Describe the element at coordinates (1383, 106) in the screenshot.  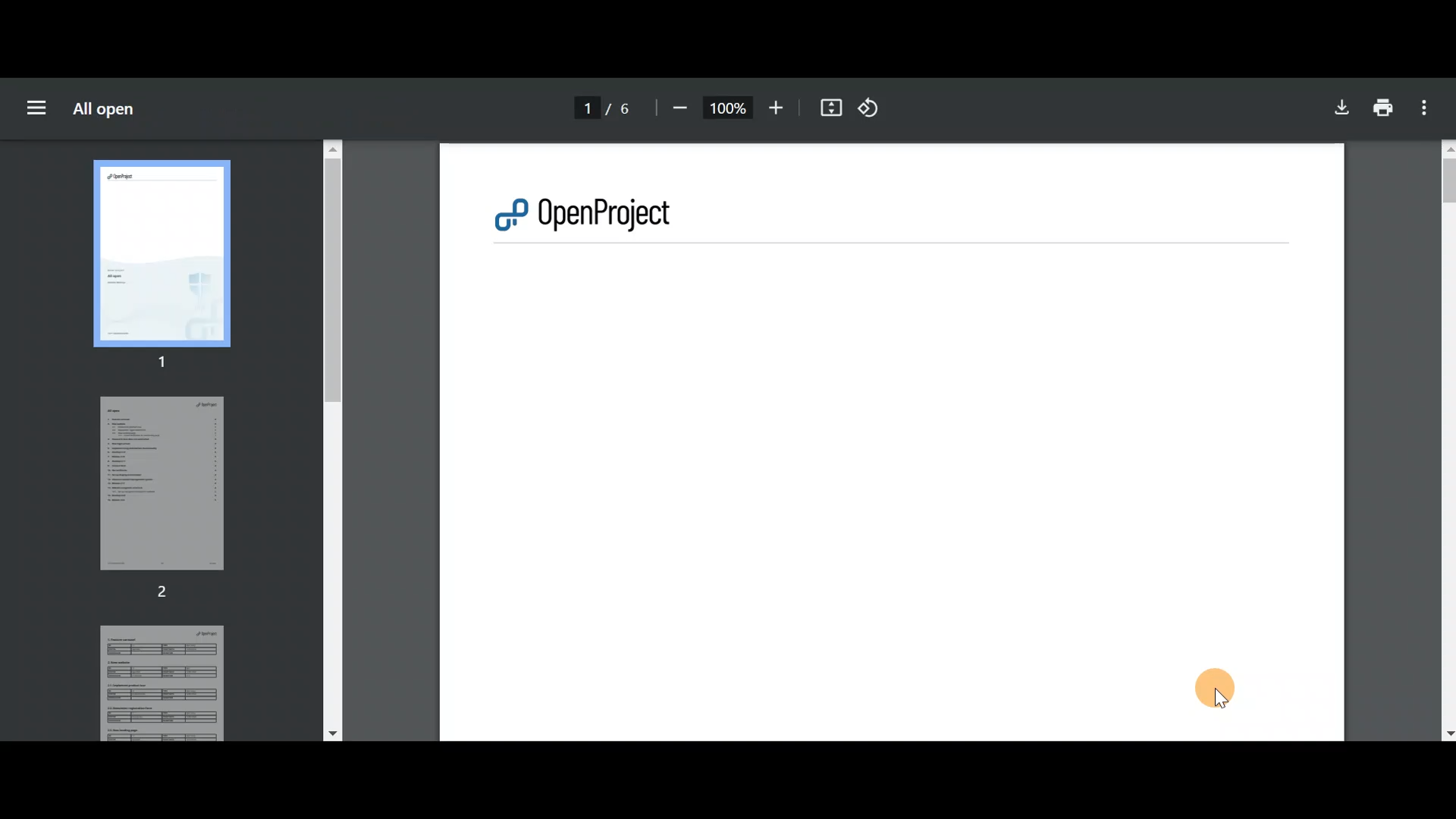
I see `Print` at that location.